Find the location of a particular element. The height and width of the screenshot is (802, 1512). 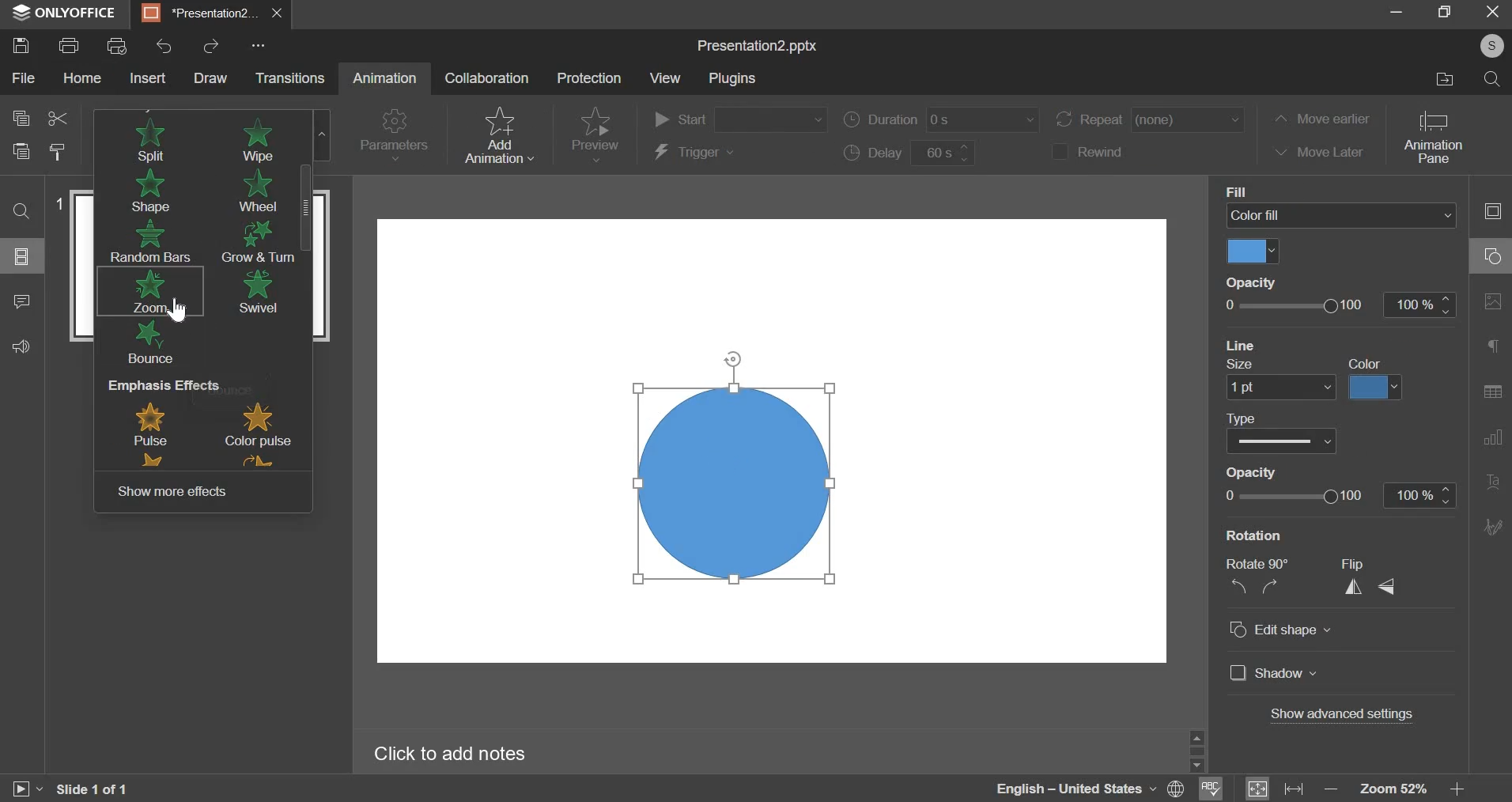

swivel is located at coordinates (257, 290).